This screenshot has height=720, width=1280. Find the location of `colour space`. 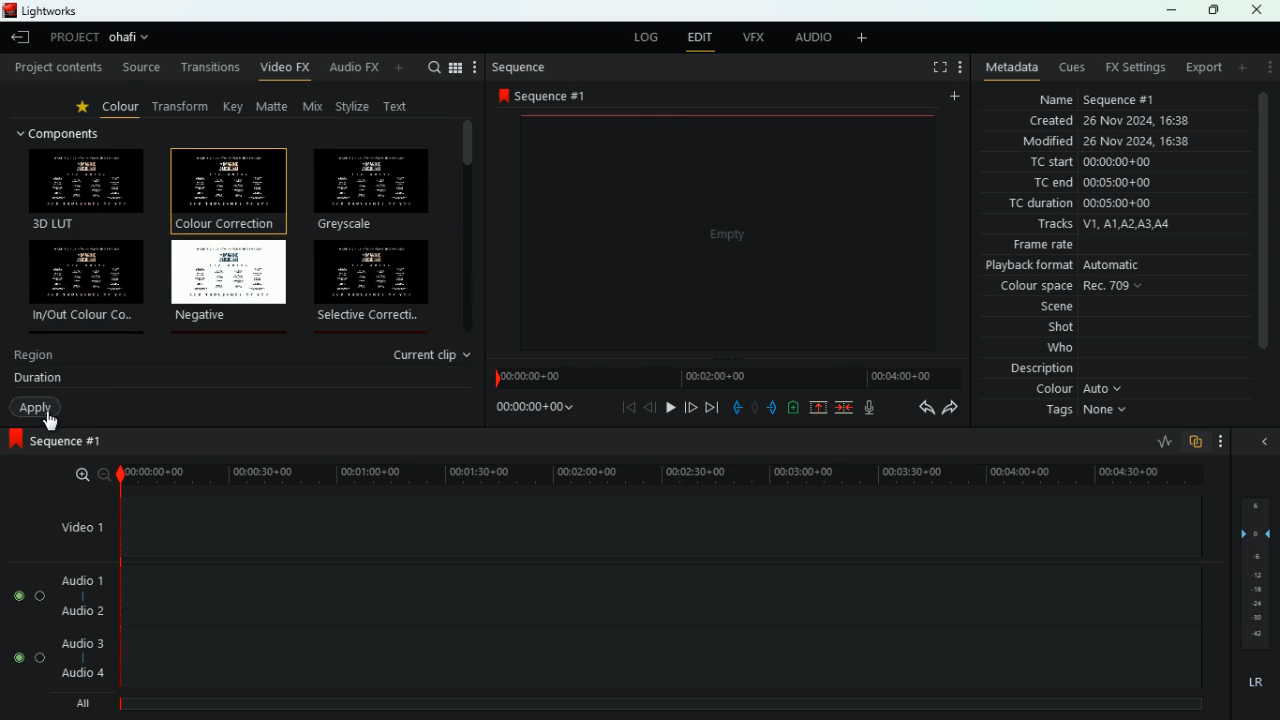

colour space is located at coordinates (1074, 287).